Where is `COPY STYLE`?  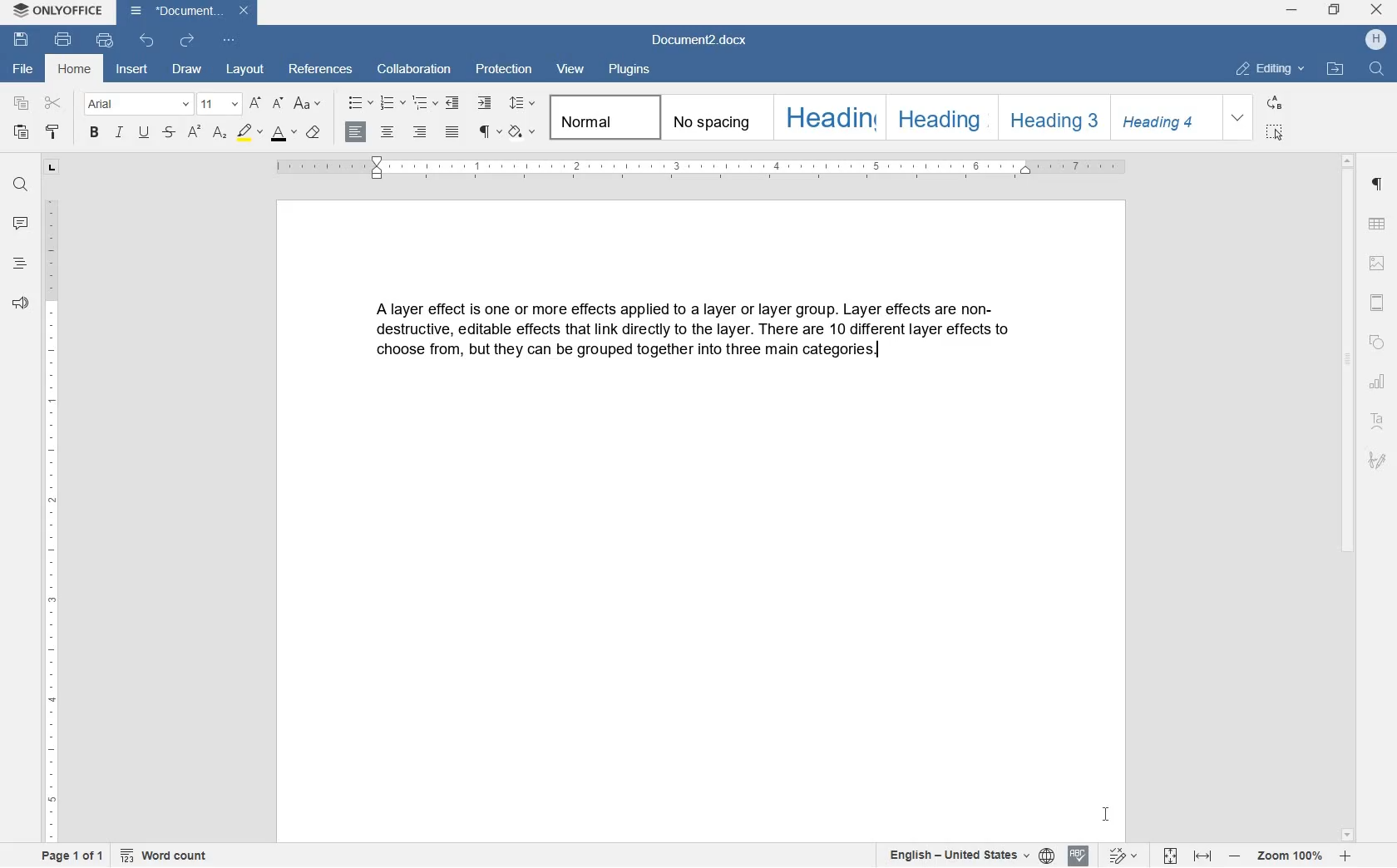 COPY STYLE is located at coordinates (53, 131).